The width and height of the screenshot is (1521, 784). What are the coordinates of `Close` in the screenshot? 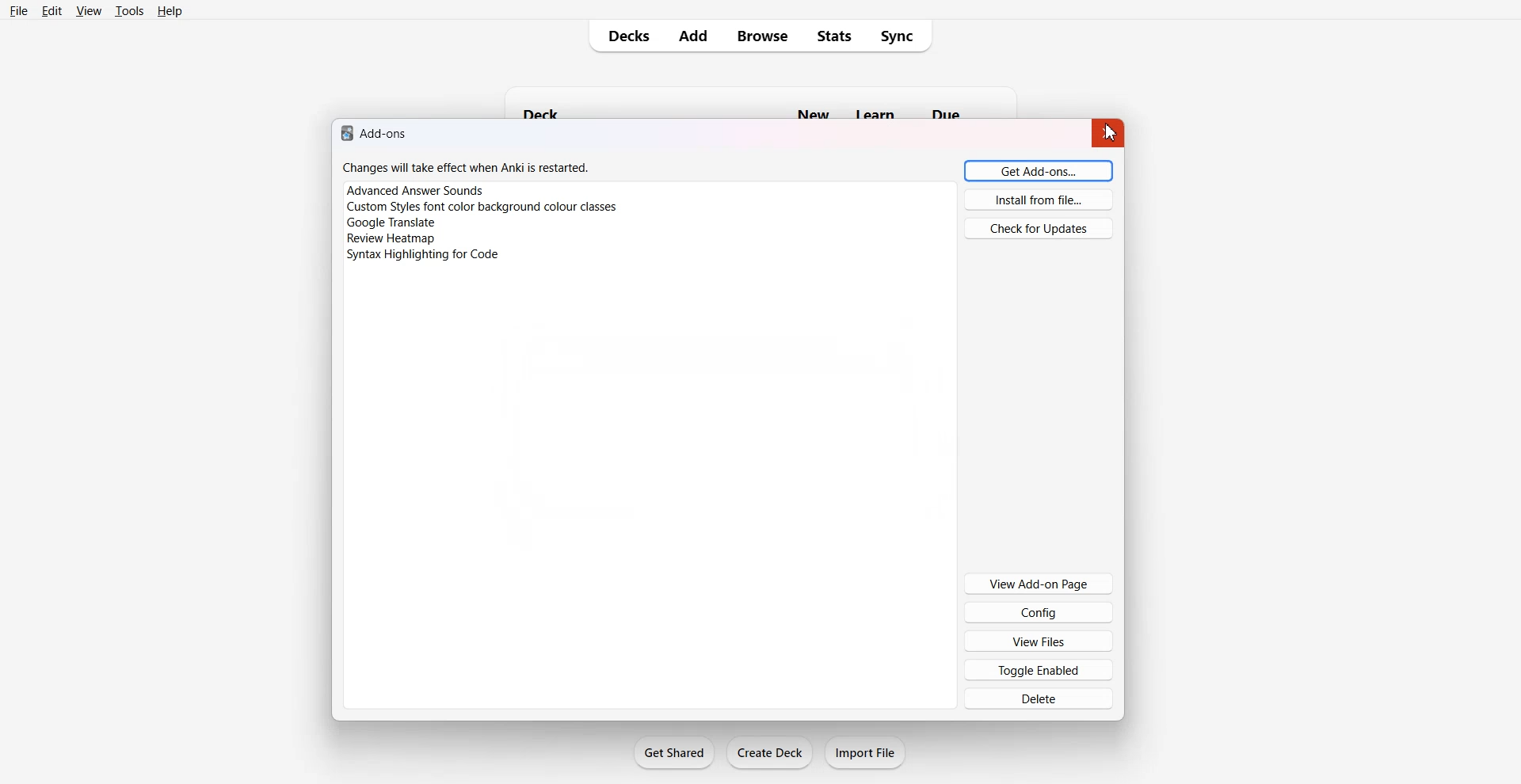 It's located at (1108, 134).